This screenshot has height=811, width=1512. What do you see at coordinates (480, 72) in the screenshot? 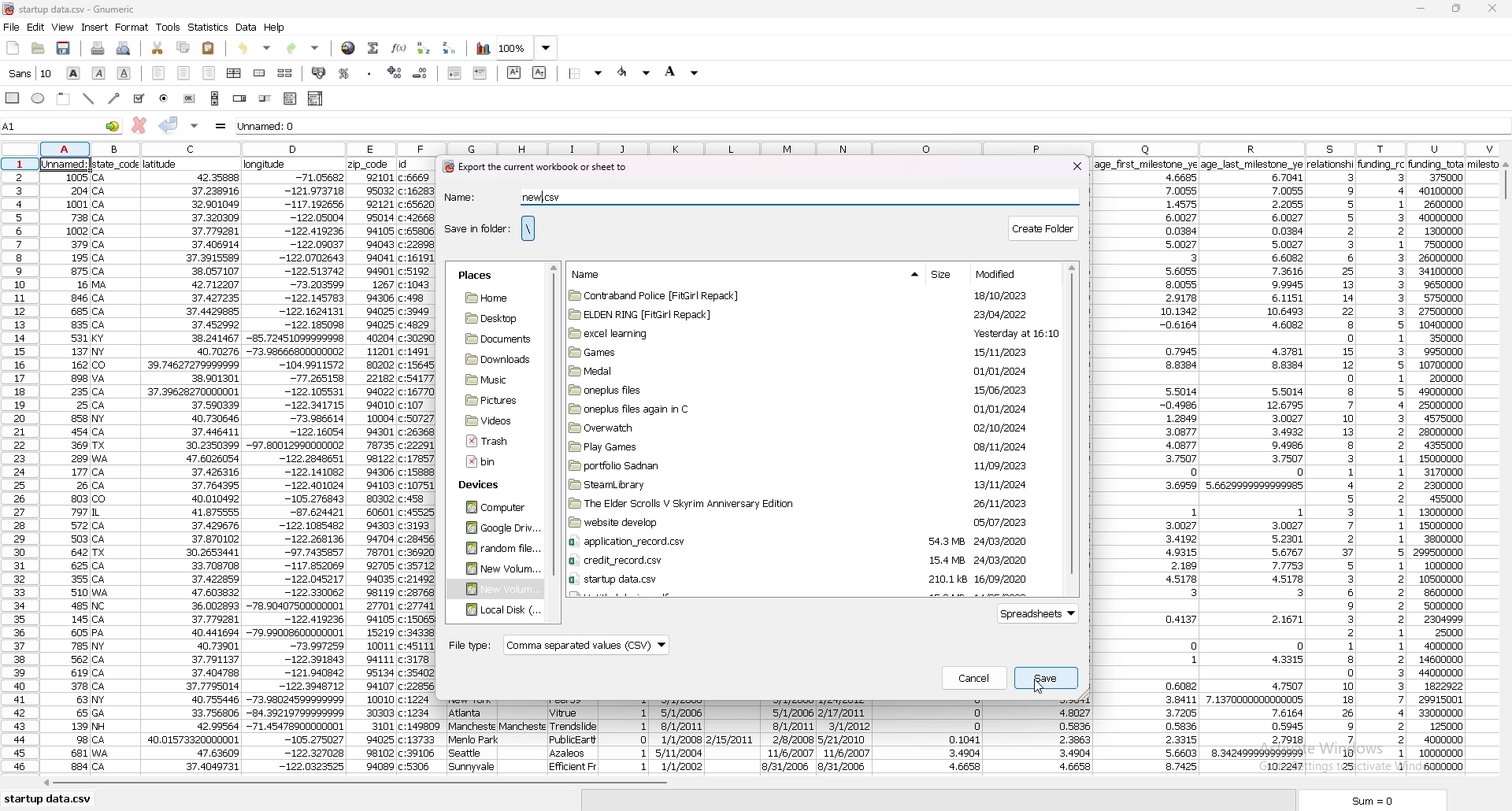
I see `increase indent` at bounding box center [480, 72].